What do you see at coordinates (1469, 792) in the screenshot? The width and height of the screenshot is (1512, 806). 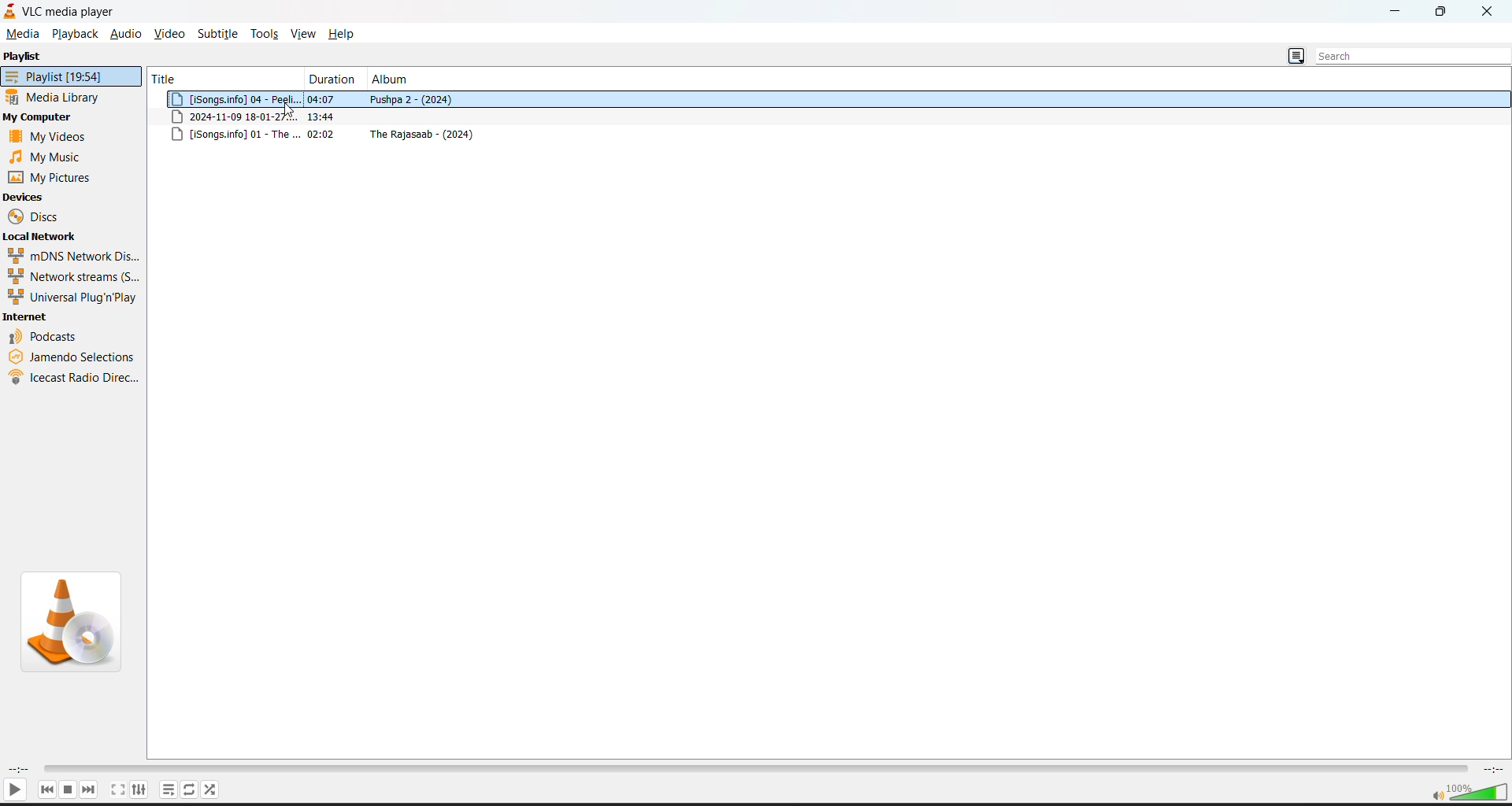 I see `volume` at bounding box center [1469, 792].